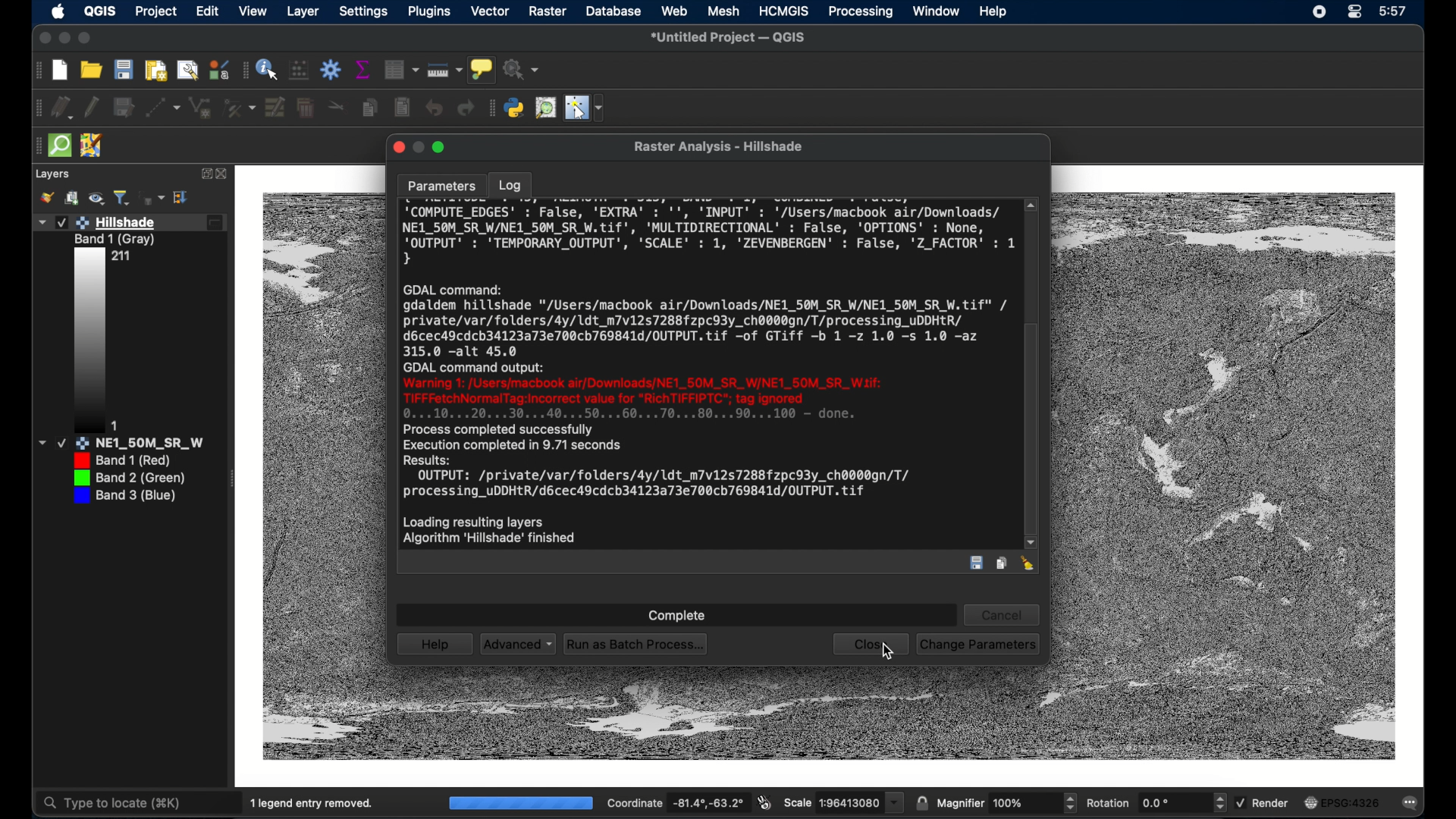 Image resolution: width=1456 pixels, height=819 pixels. What do you see at coordinates (52, 174) in the screenshot?
I see `layers` at bounding box center [52, 174].